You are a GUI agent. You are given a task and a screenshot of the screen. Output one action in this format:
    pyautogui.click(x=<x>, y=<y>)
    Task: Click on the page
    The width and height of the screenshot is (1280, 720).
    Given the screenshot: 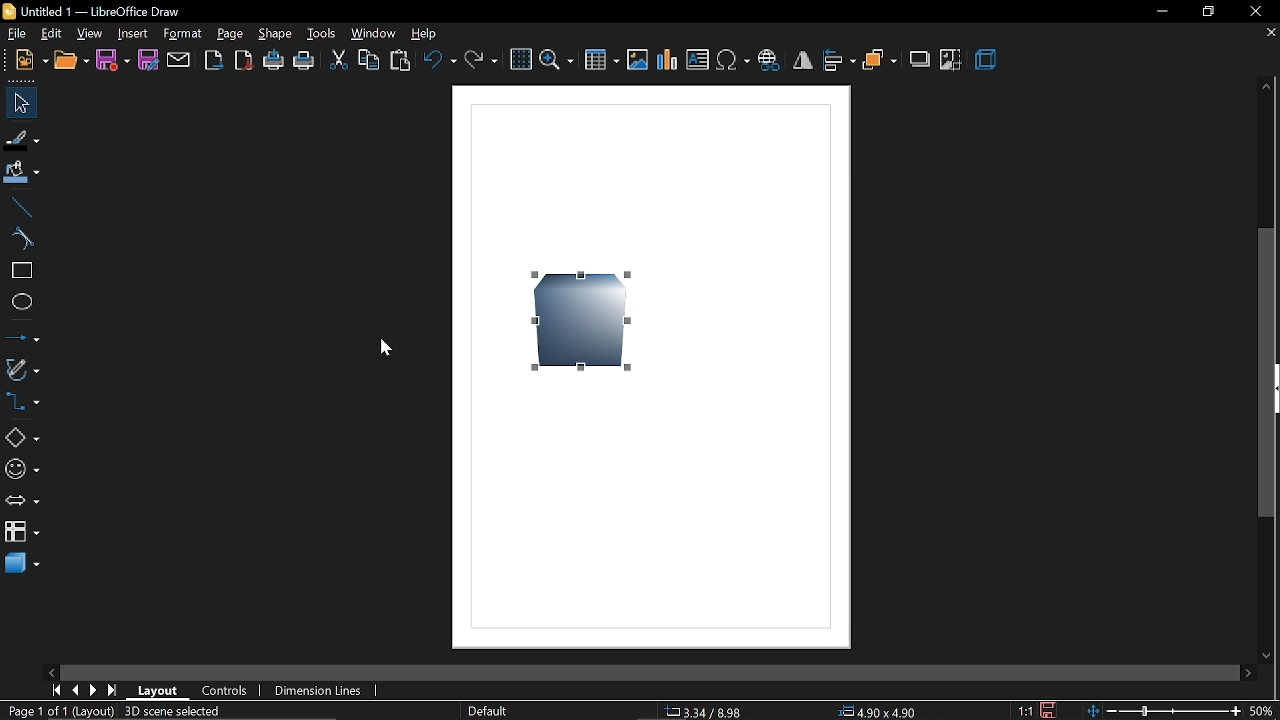 What is the action you would take?
    pyautogui.click(x=232, y=36)
    